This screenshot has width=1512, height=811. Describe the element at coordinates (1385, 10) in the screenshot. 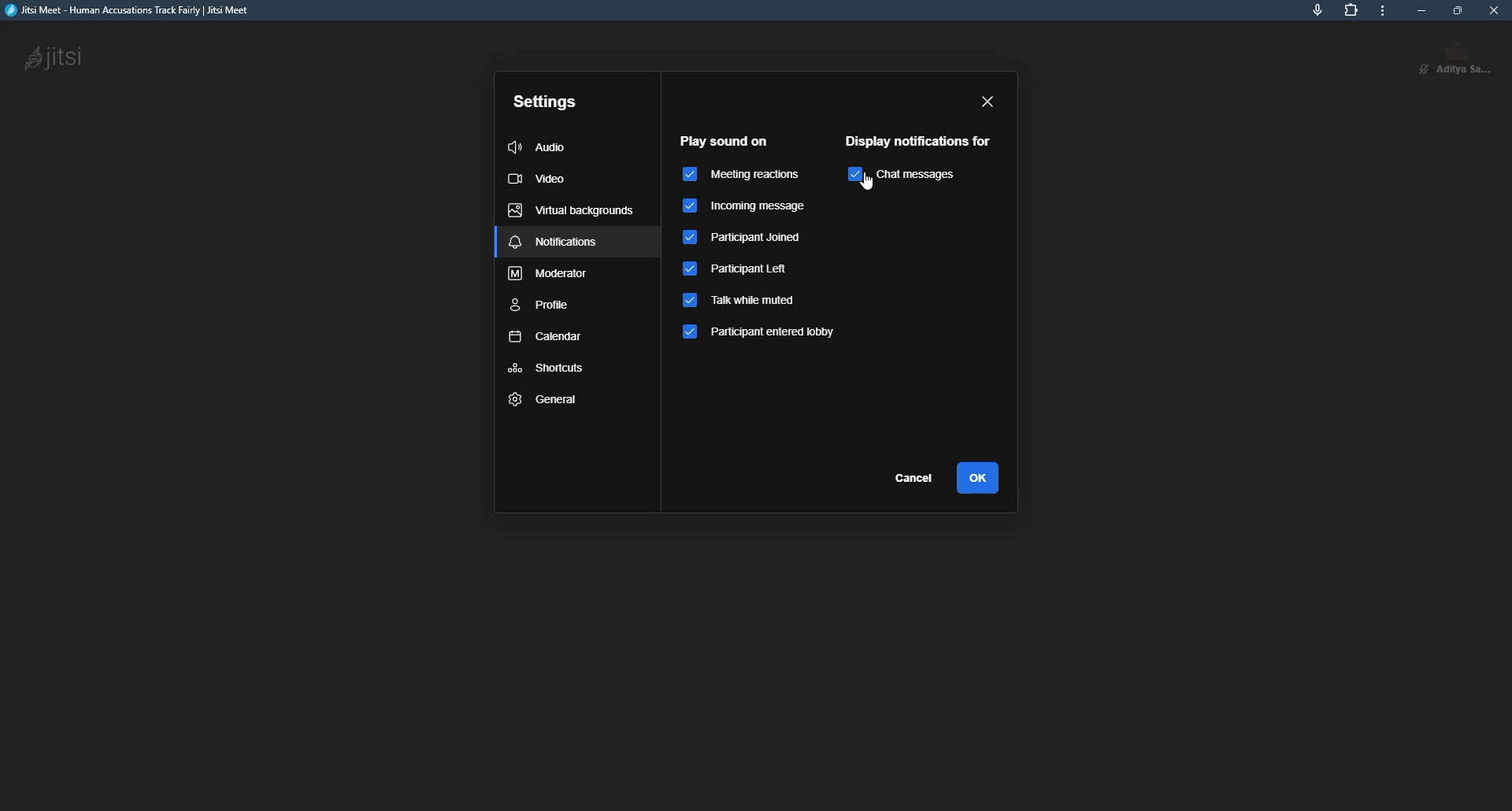

I see `more` at that location.